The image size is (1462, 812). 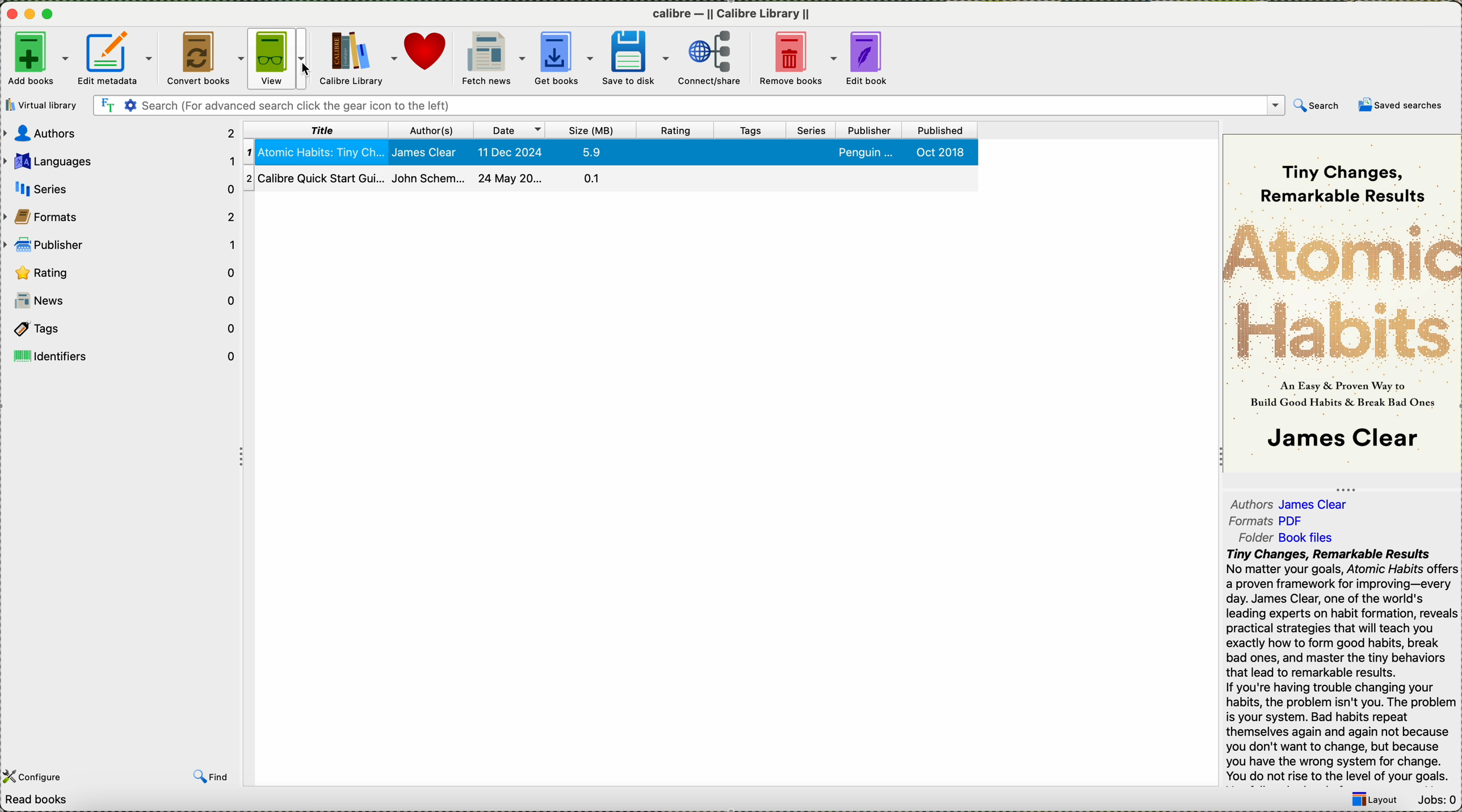 What do you see at coordinates (430, 131) in the screenshot?
I see `author(s)` at bounding box center [430, 131].